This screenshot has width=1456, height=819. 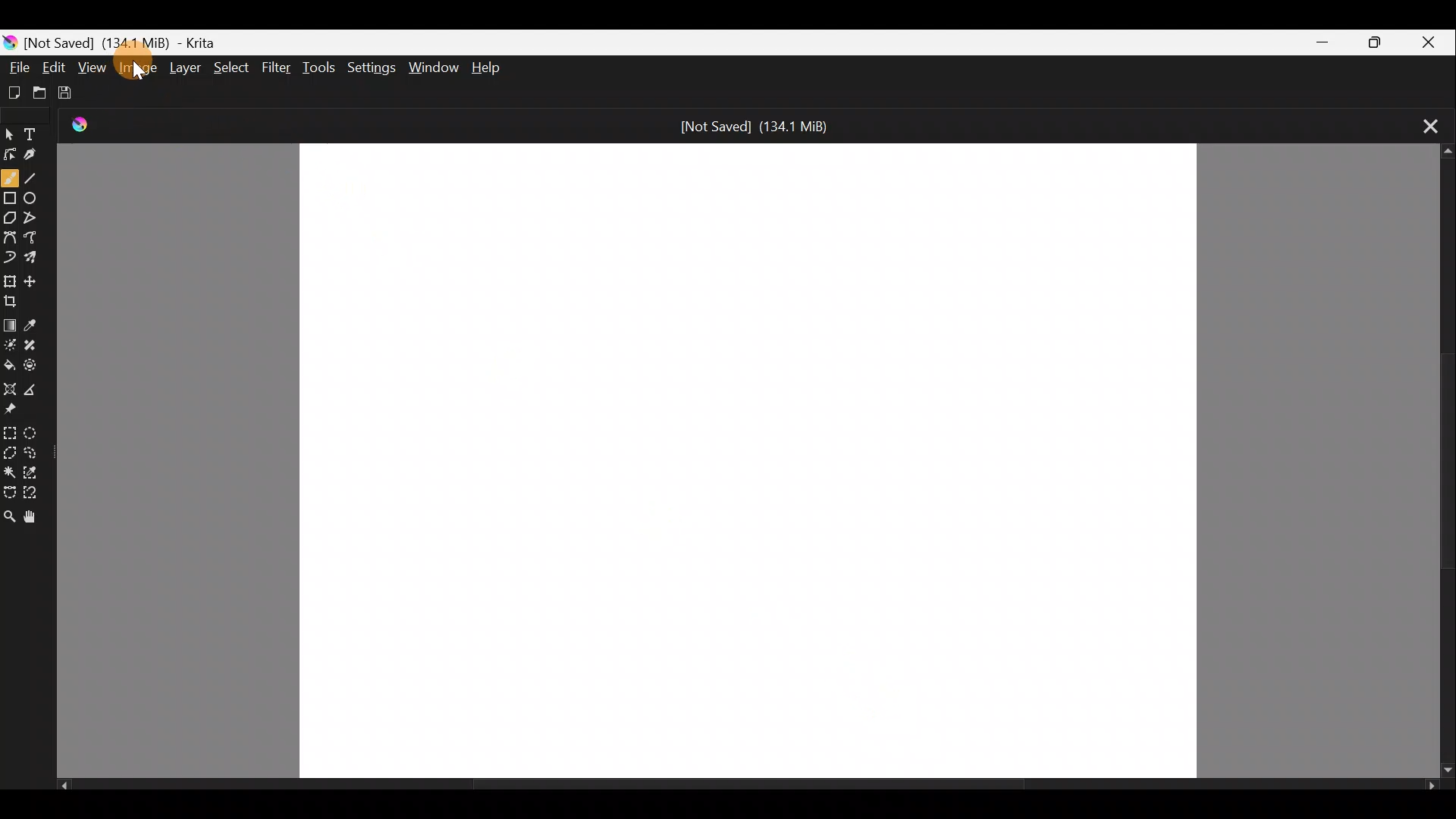 What do you see at coordinates (46, 93) in the screenshot?
I see `Open an existing document` at bounding box center [46, 93].